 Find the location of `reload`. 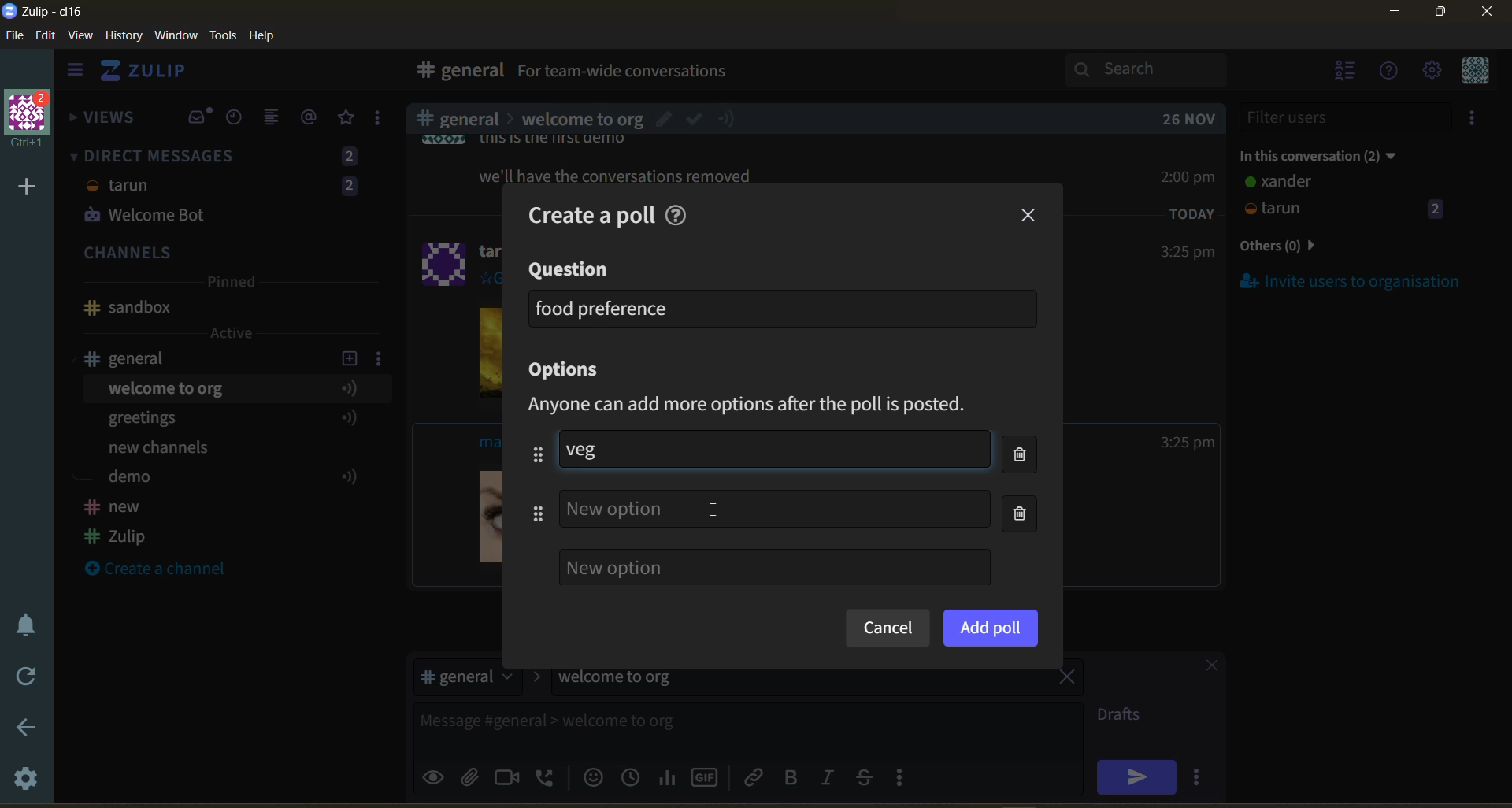

reload is located at coordinates (22, 676).